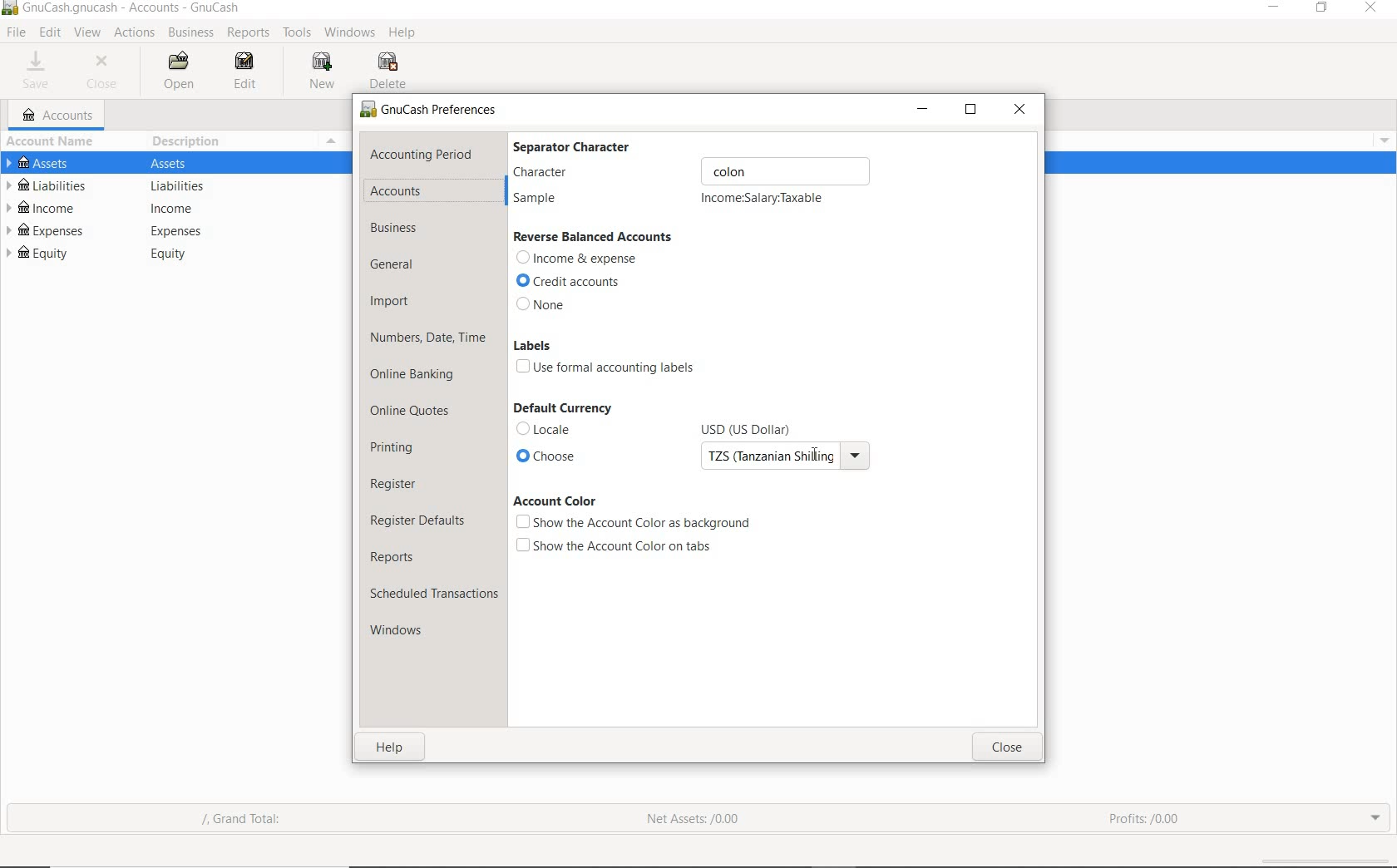  Describe the element at coordinates (594, 237) in the screenshot. I see `reverse balanced accounts` at that location.